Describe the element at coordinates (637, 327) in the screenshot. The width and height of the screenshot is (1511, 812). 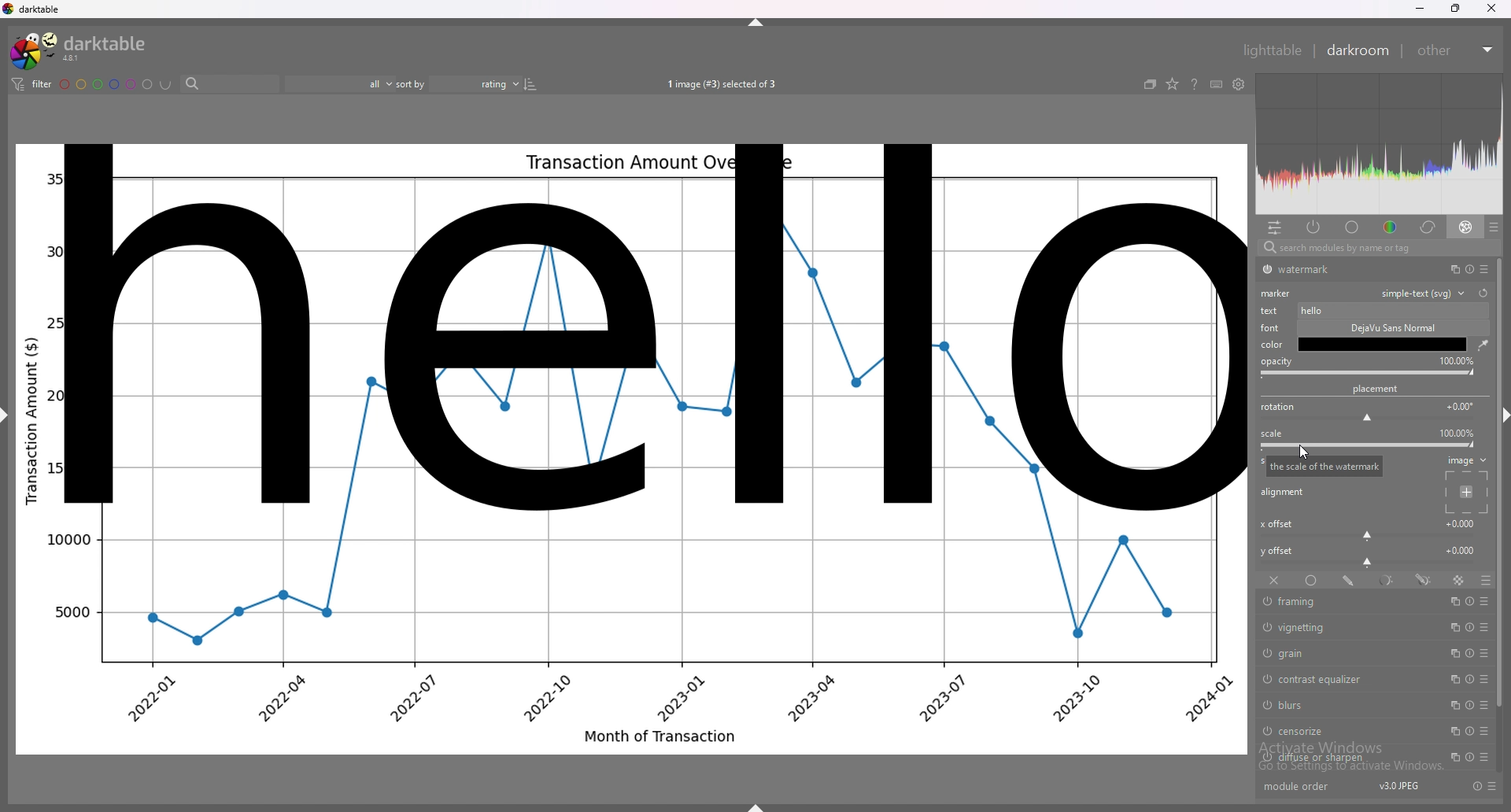
I see `watermarked text` at that location.